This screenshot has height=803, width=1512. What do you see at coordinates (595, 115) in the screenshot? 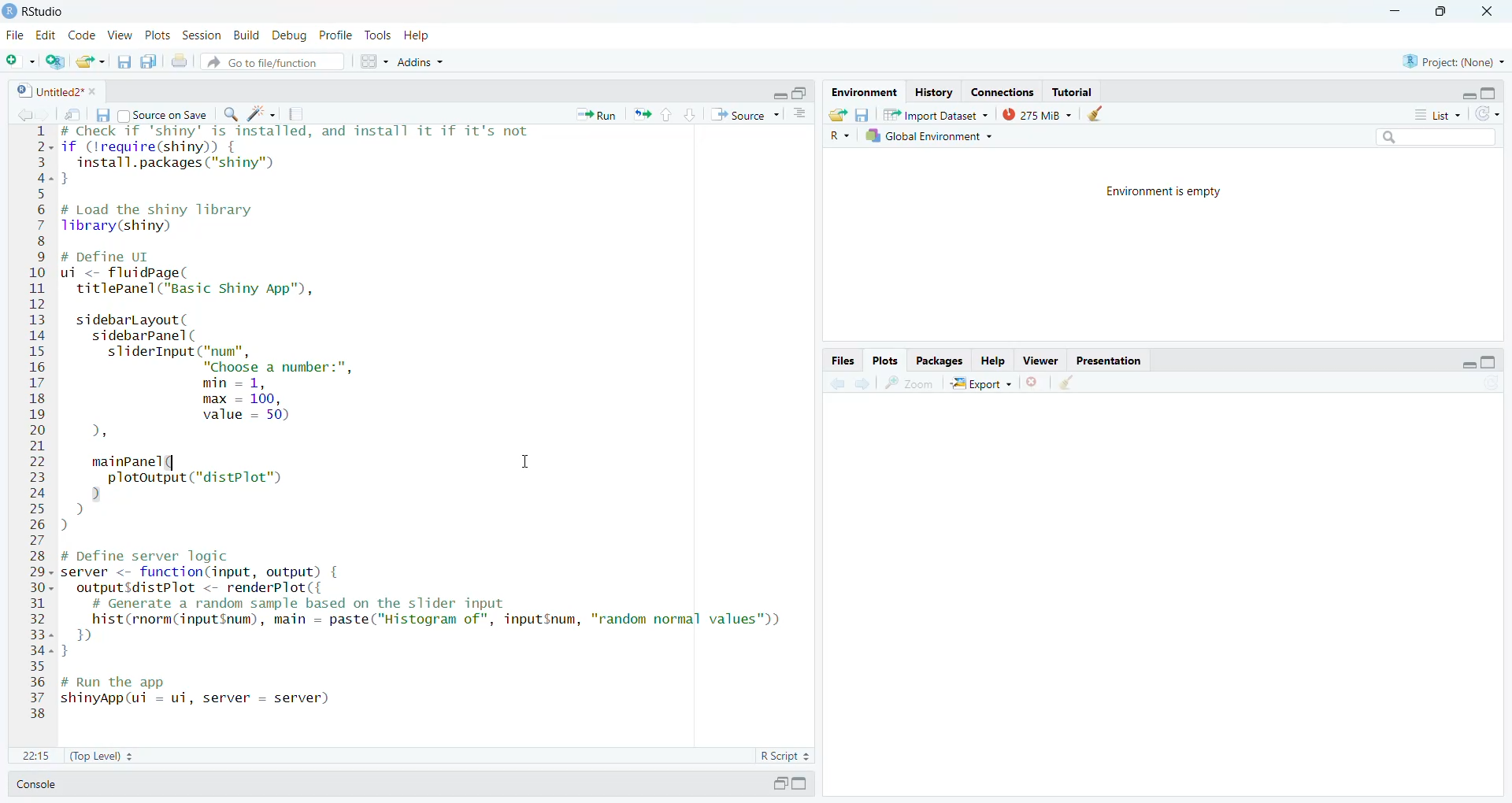
I see `Run` at bounding box center [595, 115].